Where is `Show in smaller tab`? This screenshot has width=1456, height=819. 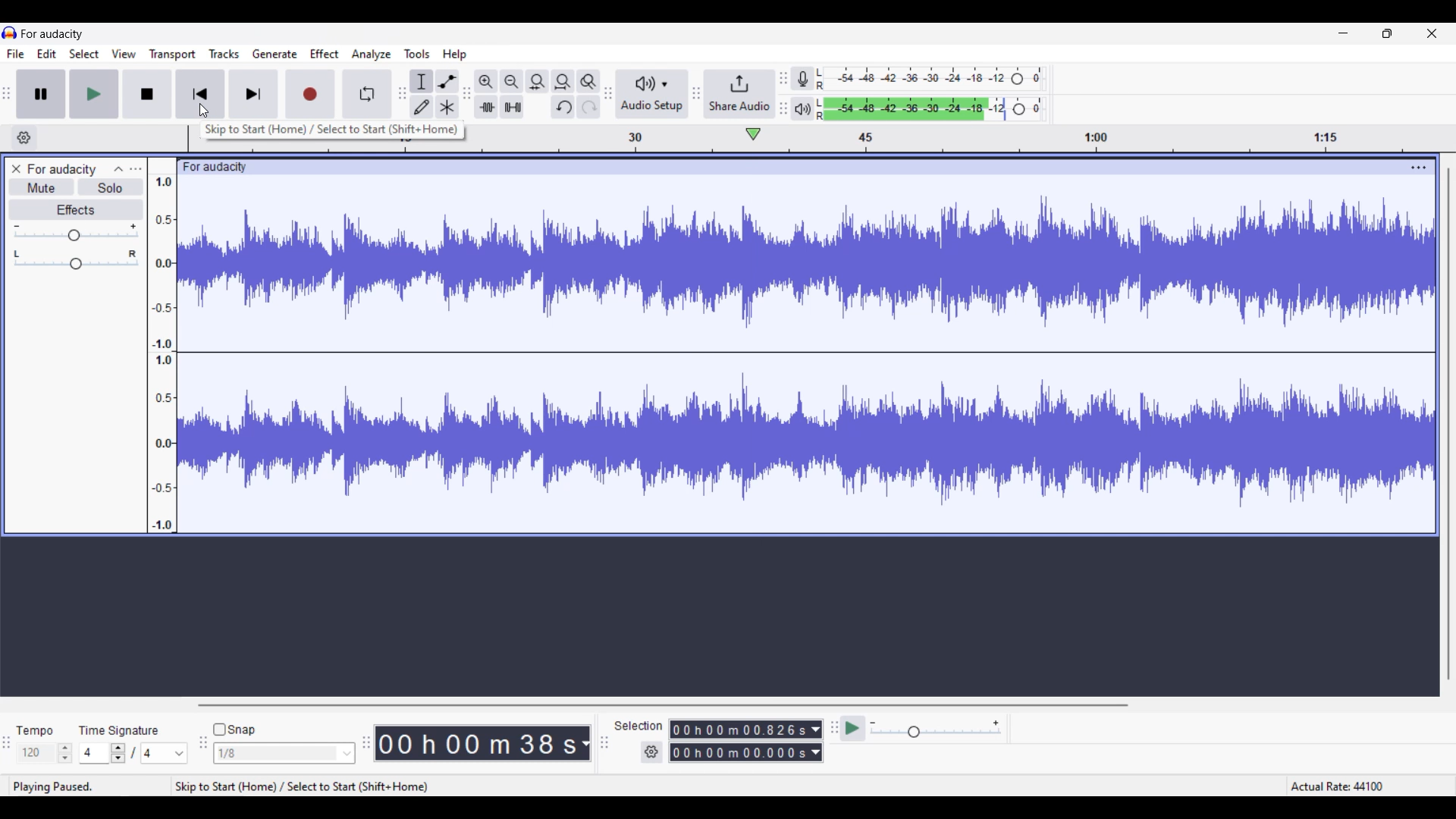 Show in smaller tab is located at coordinates (1387, 33).